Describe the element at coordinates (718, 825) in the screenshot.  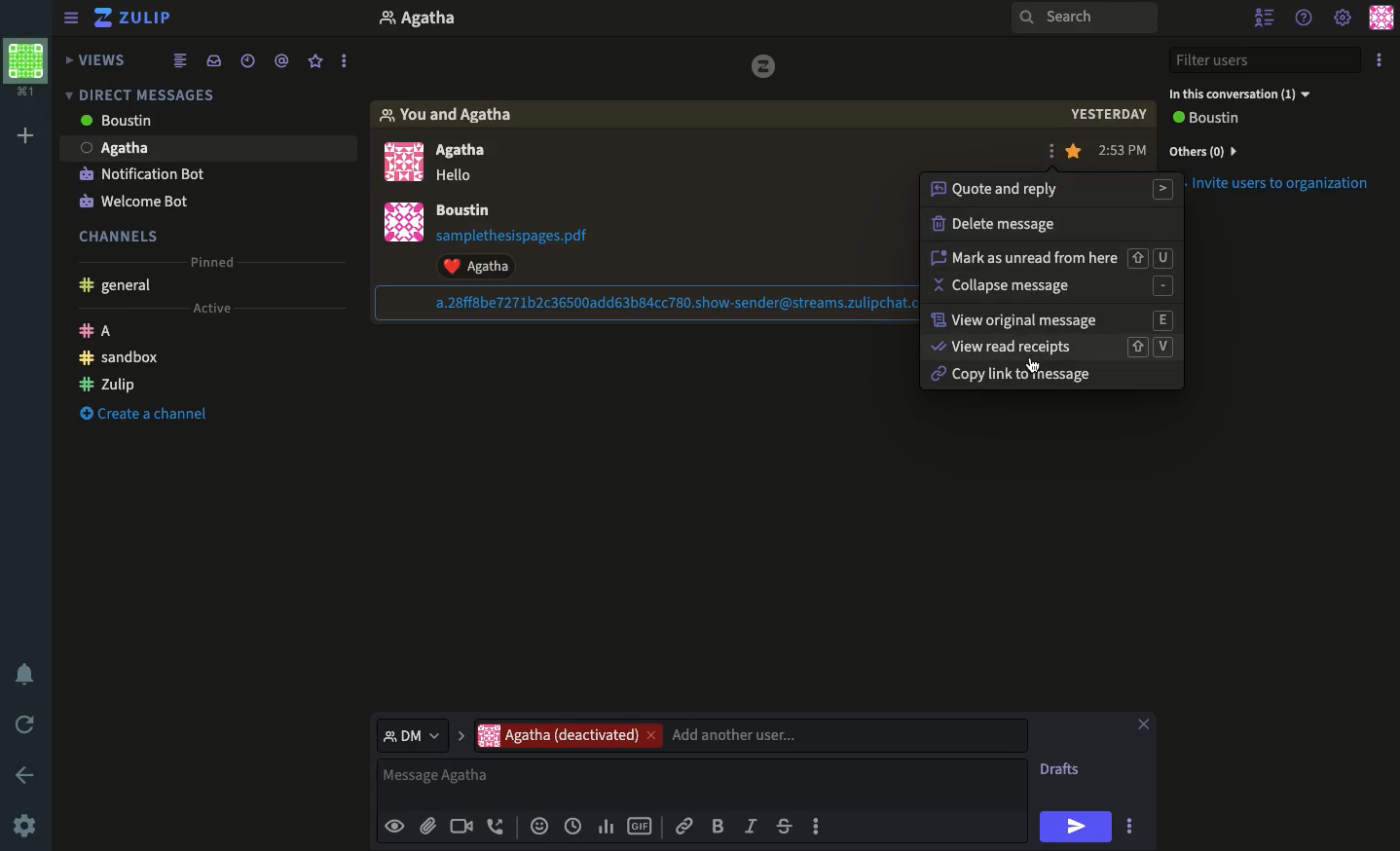
I see `Bold` at that location.